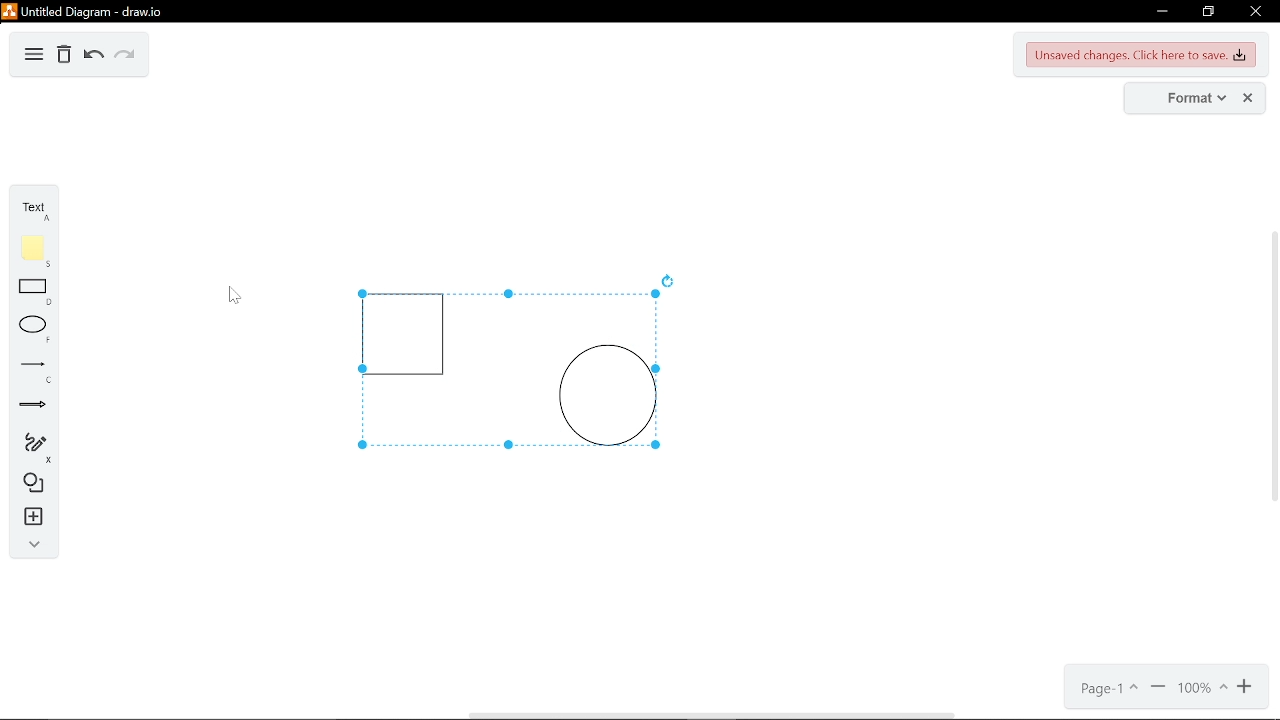 This screenshot has width=1280, height=720. I want to click on zoom in, so click(1246, 690).